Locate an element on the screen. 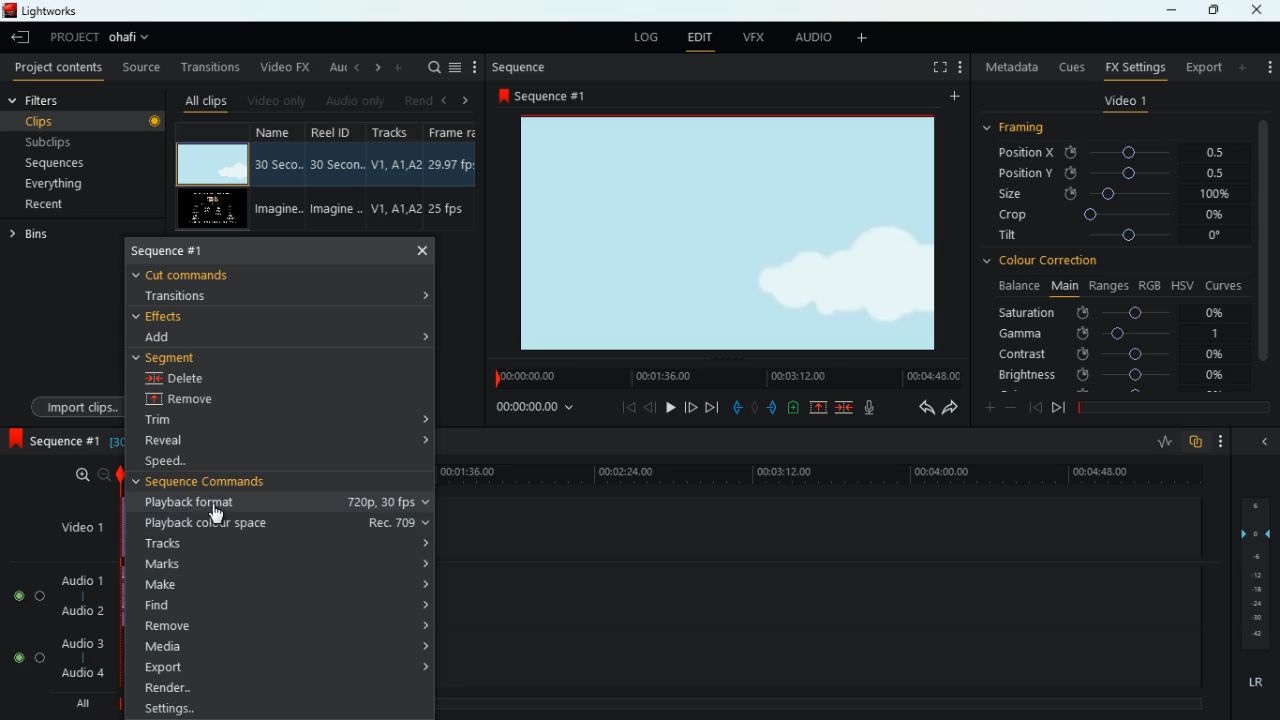 The image size is (1280, 720). import clips is located at coordinates (74, 405).